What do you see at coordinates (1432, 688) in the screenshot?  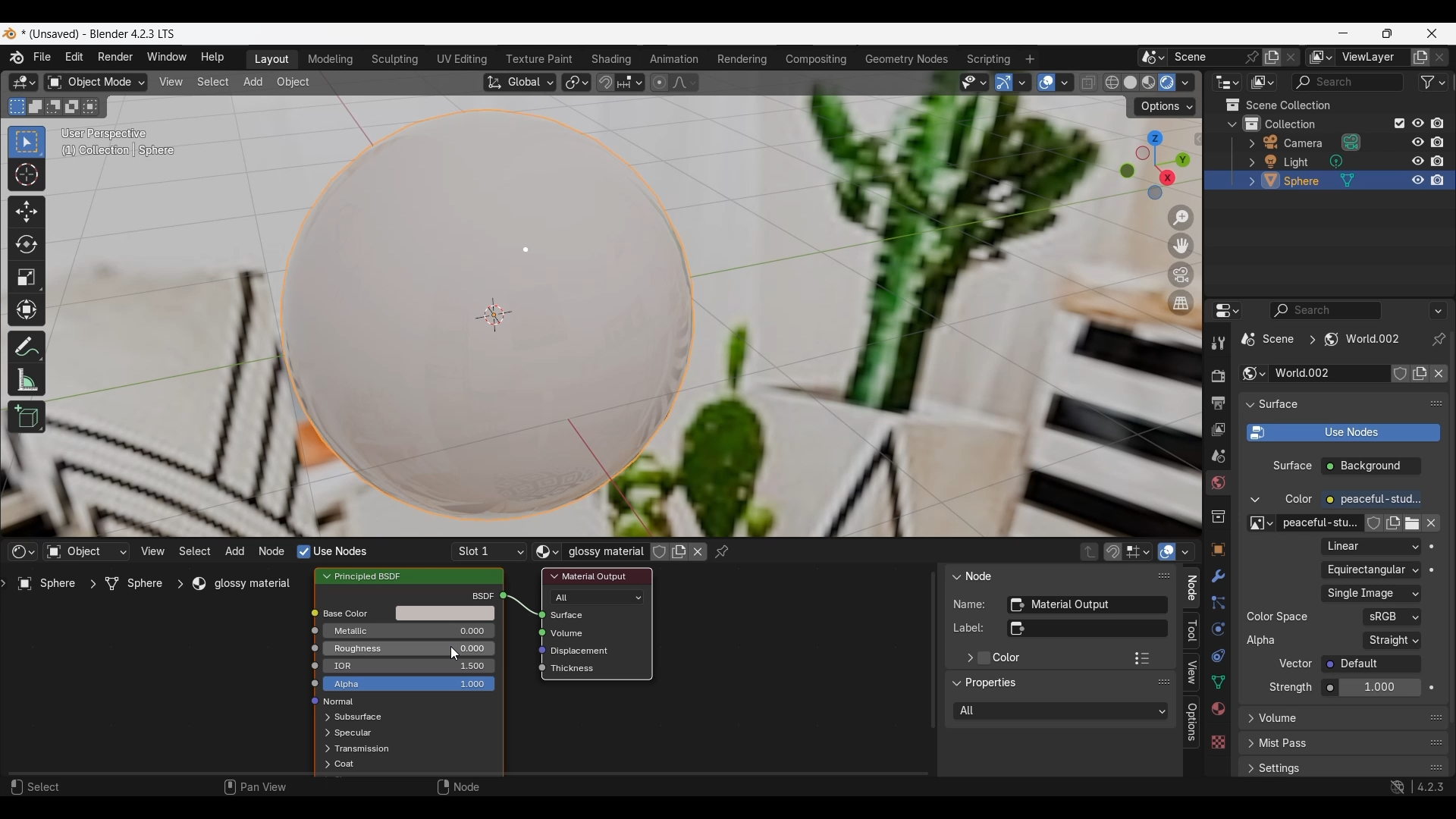 I see `Animate property` at bounding box center [1432, 688].